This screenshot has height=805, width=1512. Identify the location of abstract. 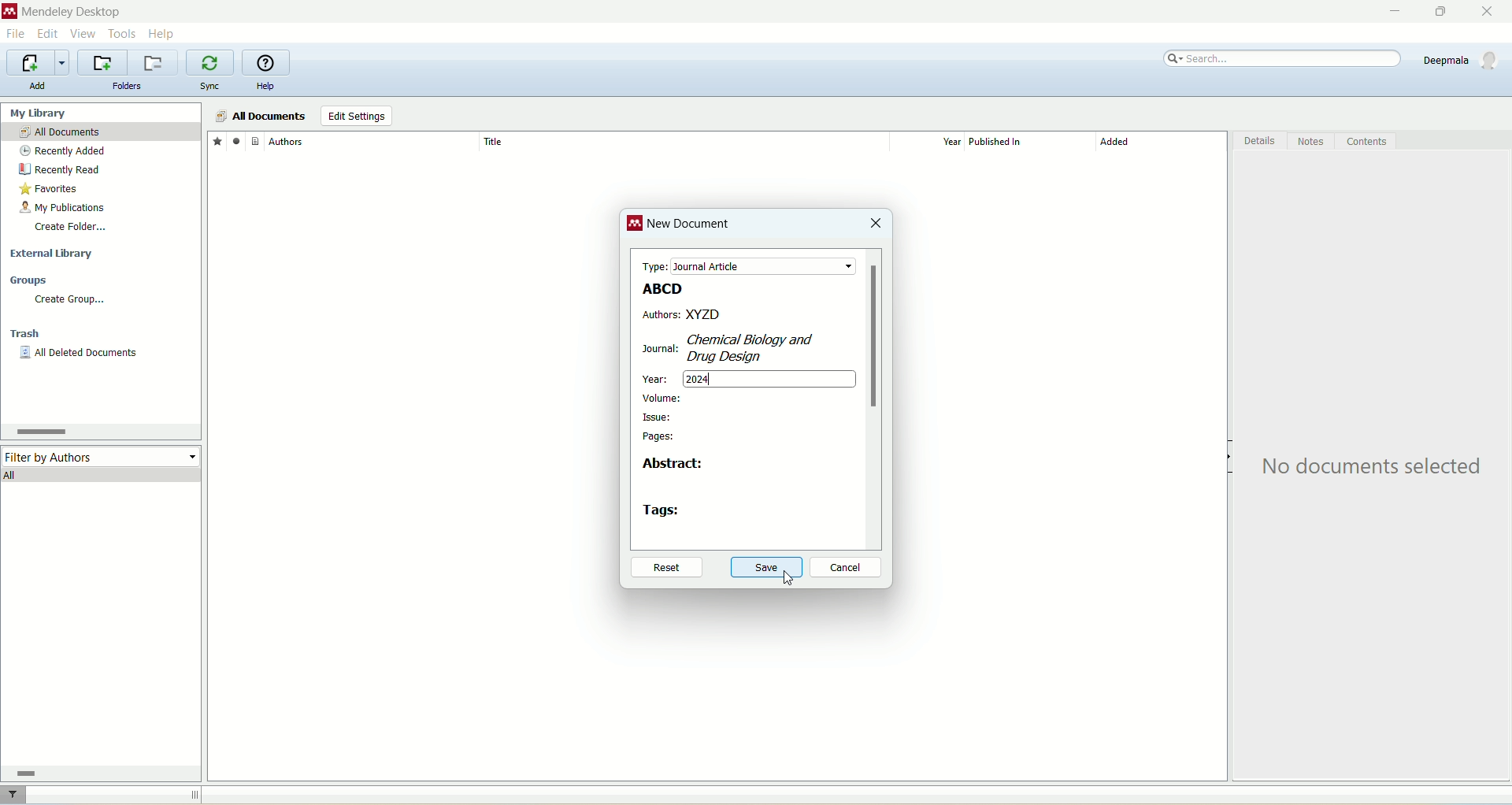
(673, 467).